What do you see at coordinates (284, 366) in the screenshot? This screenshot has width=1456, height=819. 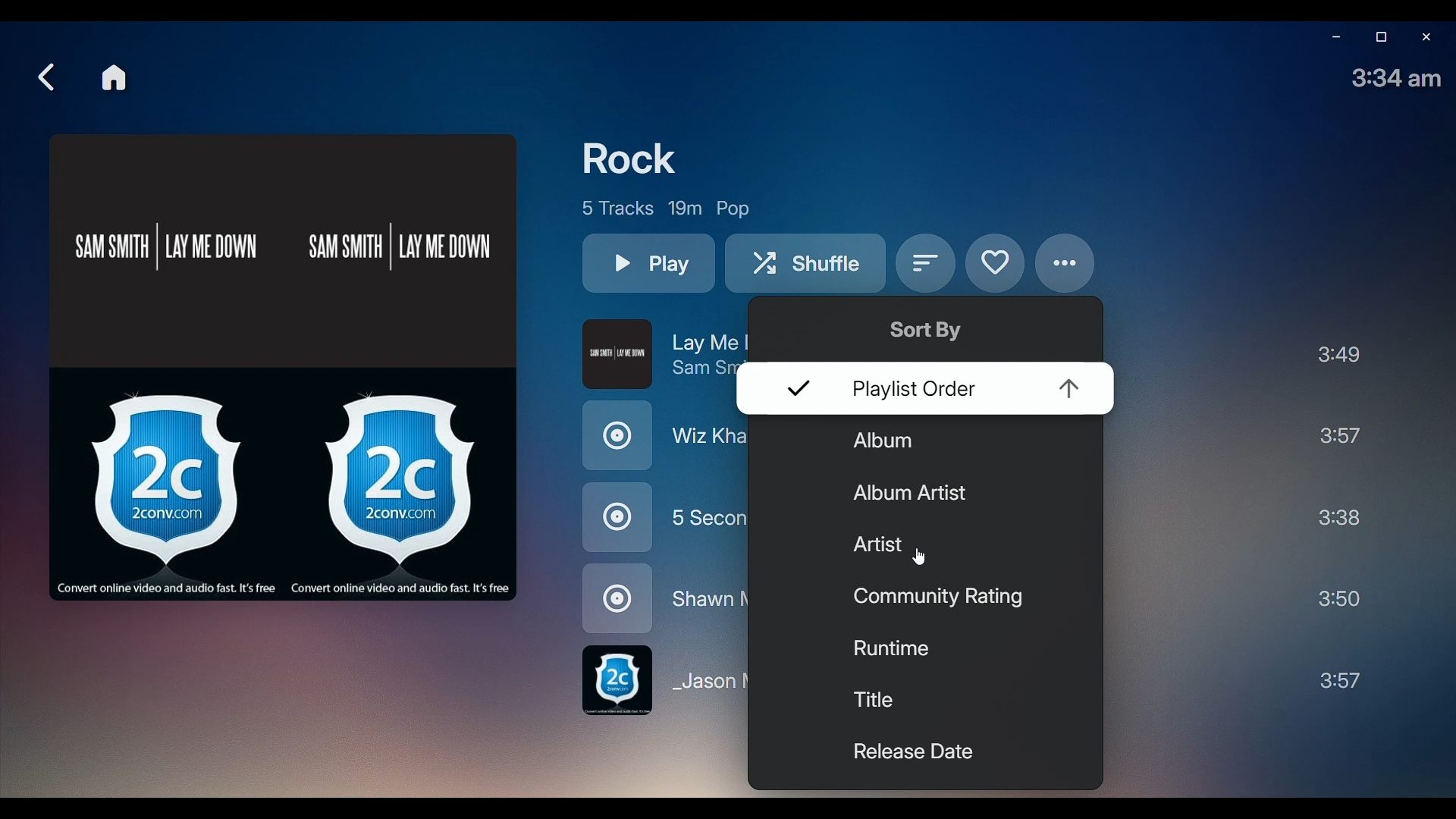 I see `Album Cover` at bounding box center [284, 366].